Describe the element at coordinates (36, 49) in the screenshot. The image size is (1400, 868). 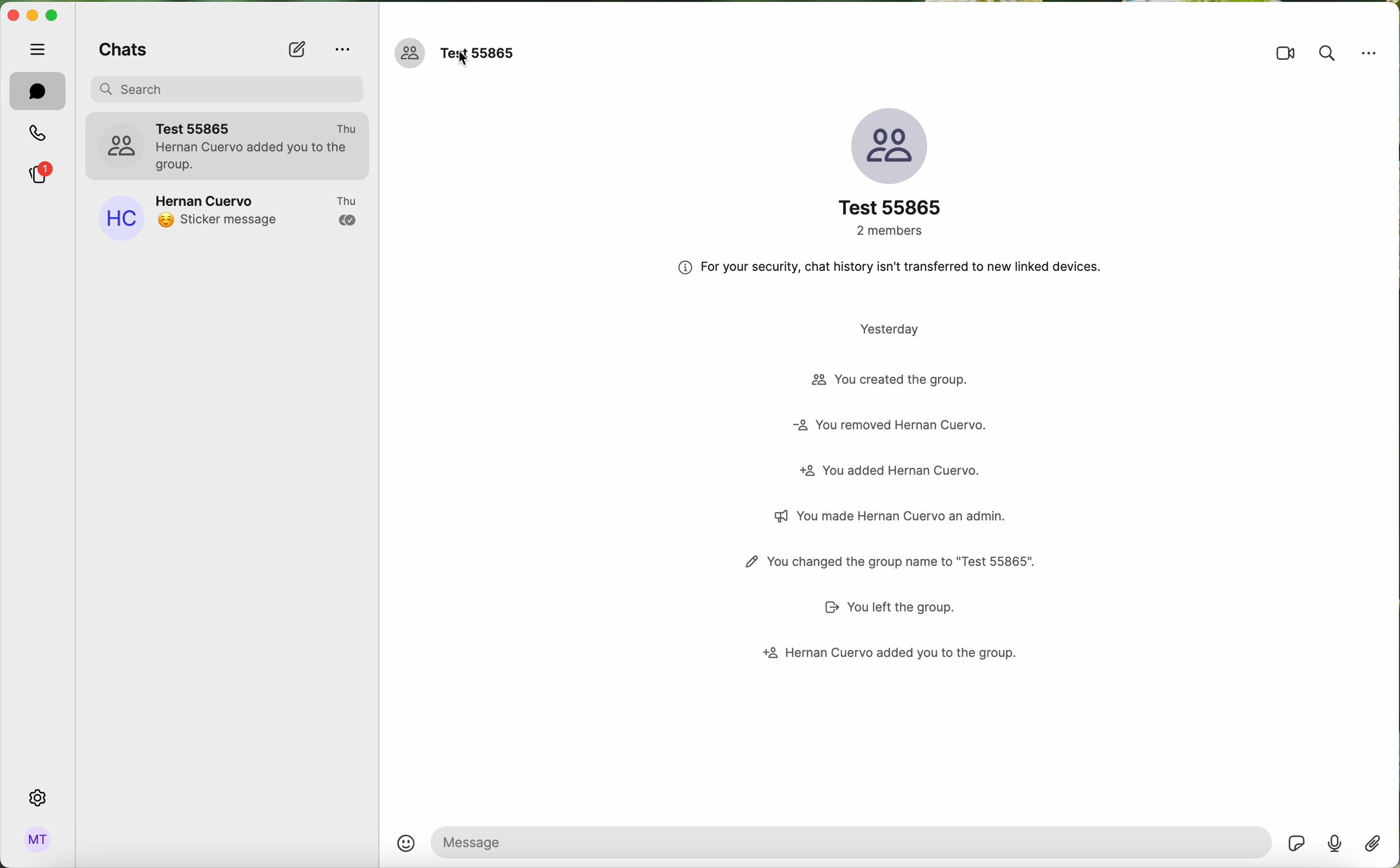
I see `hide tabs` at that location.